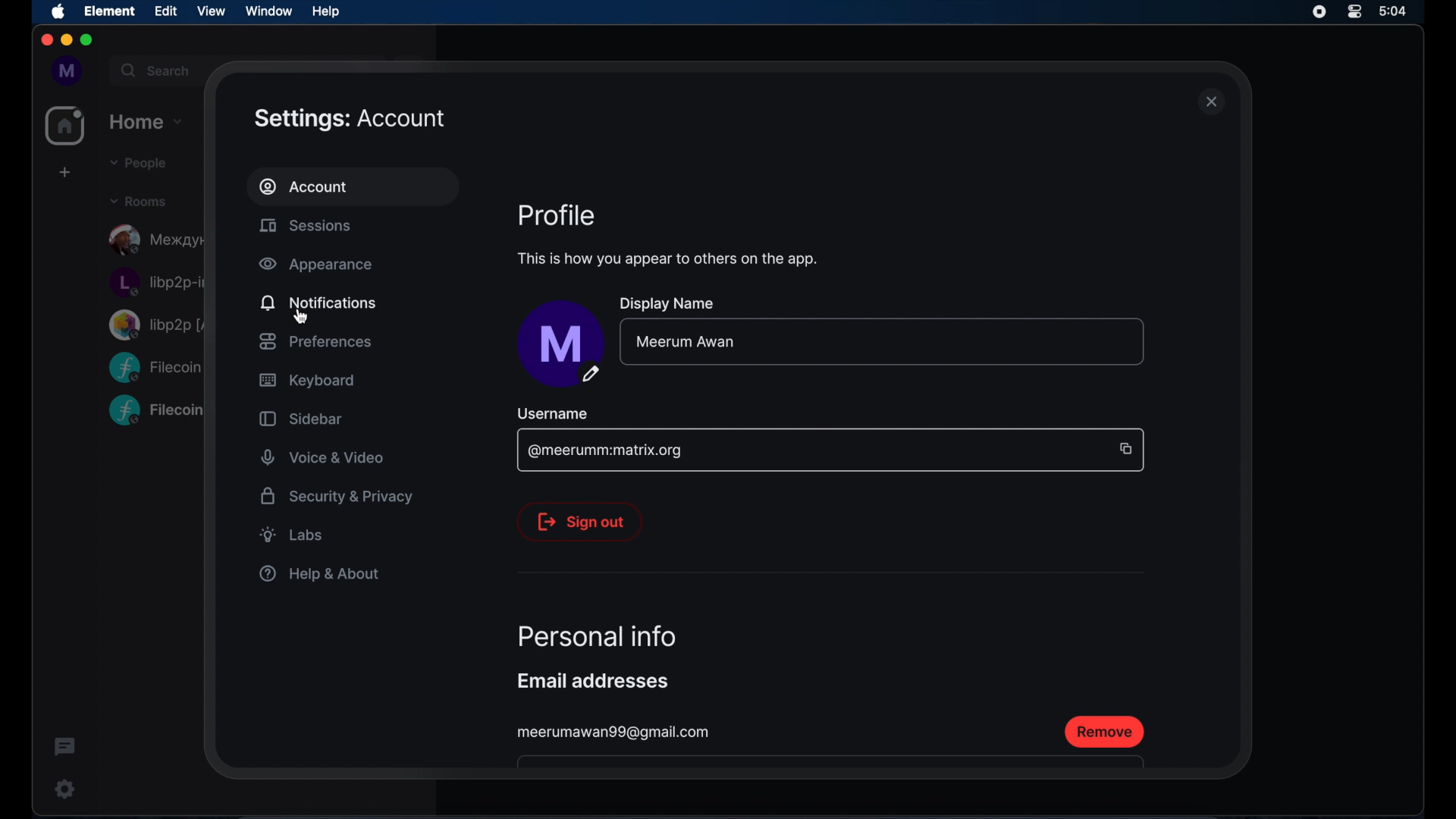 The width and height of the screenshot is (1456, 819). What do you see at coordinates (268, 11) in the screenshot?
I see `window` at bounding box center [268, 11].